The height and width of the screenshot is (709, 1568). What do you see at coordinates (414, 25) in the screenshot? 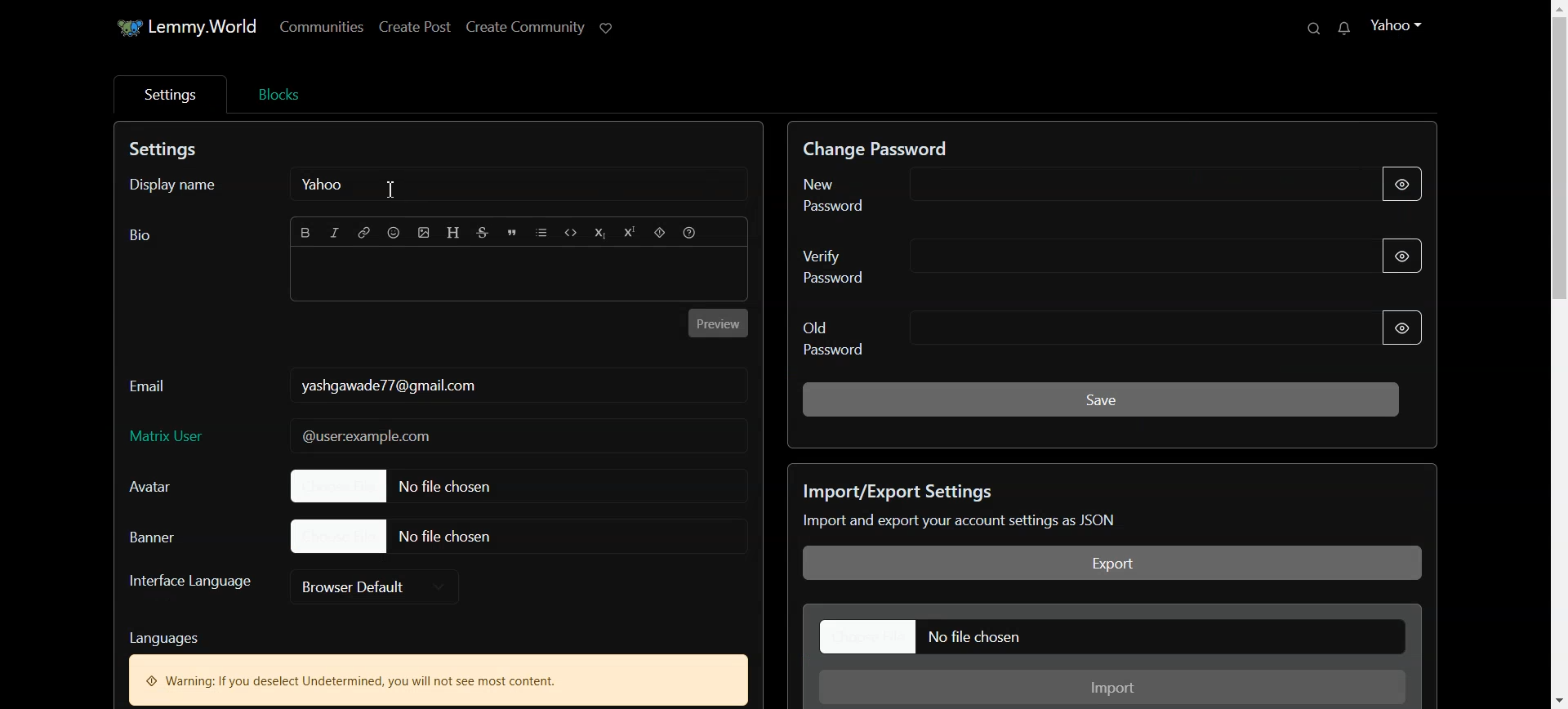
I see `create Post` at bounding box center [414, 25].